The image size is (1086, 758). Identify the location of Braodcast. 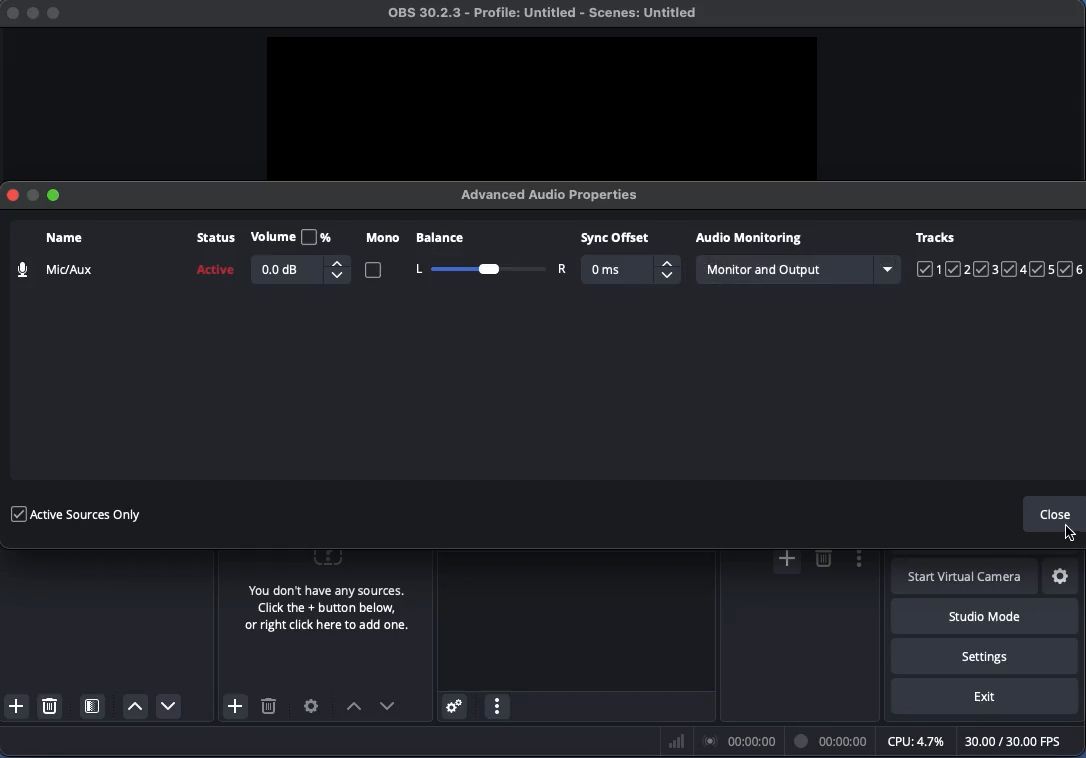
(740, 742).